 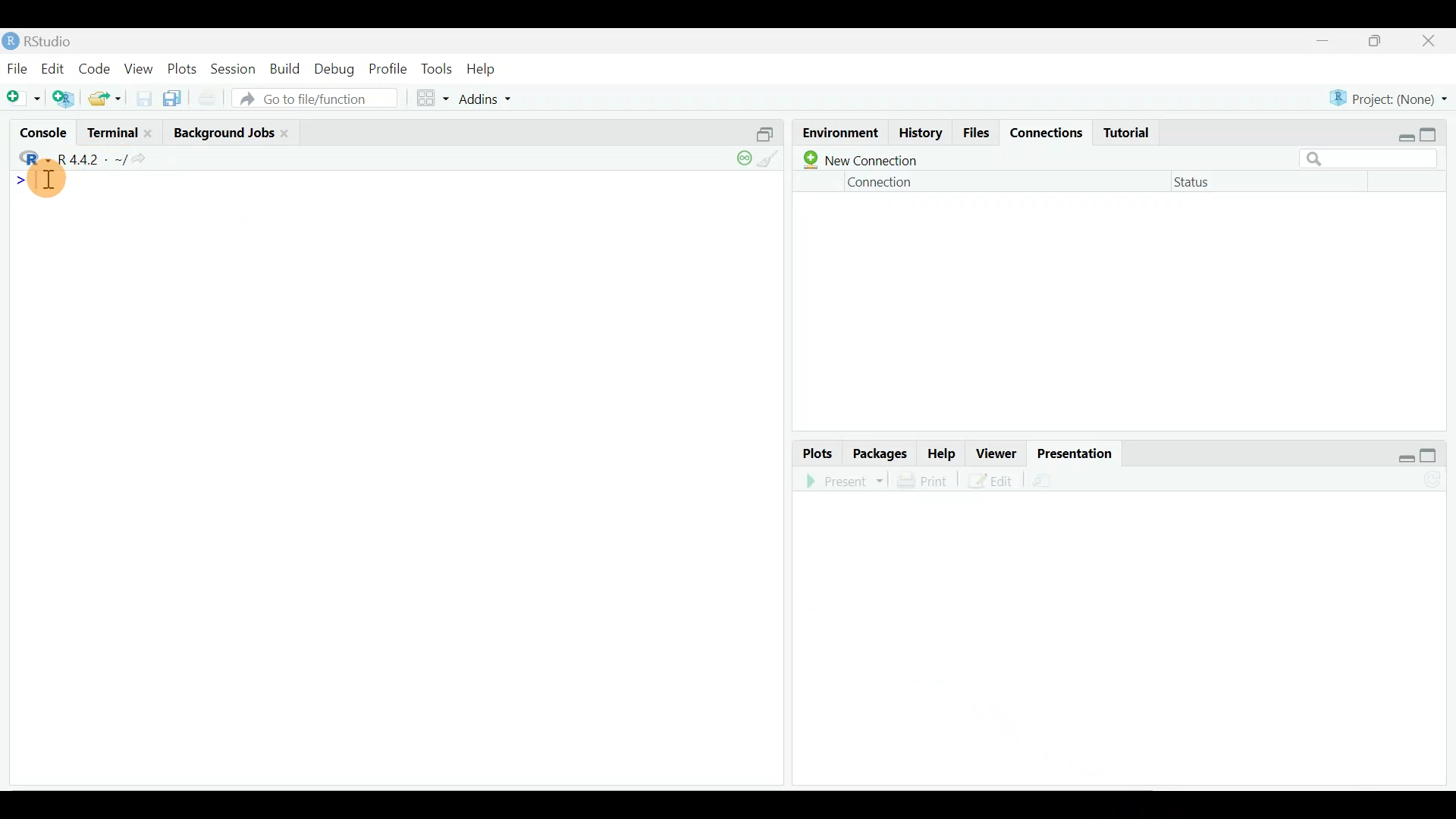 What do you see at coordinates (836, 132) in the screenshot?
I see `Environment` at bounding box center [836, 132].